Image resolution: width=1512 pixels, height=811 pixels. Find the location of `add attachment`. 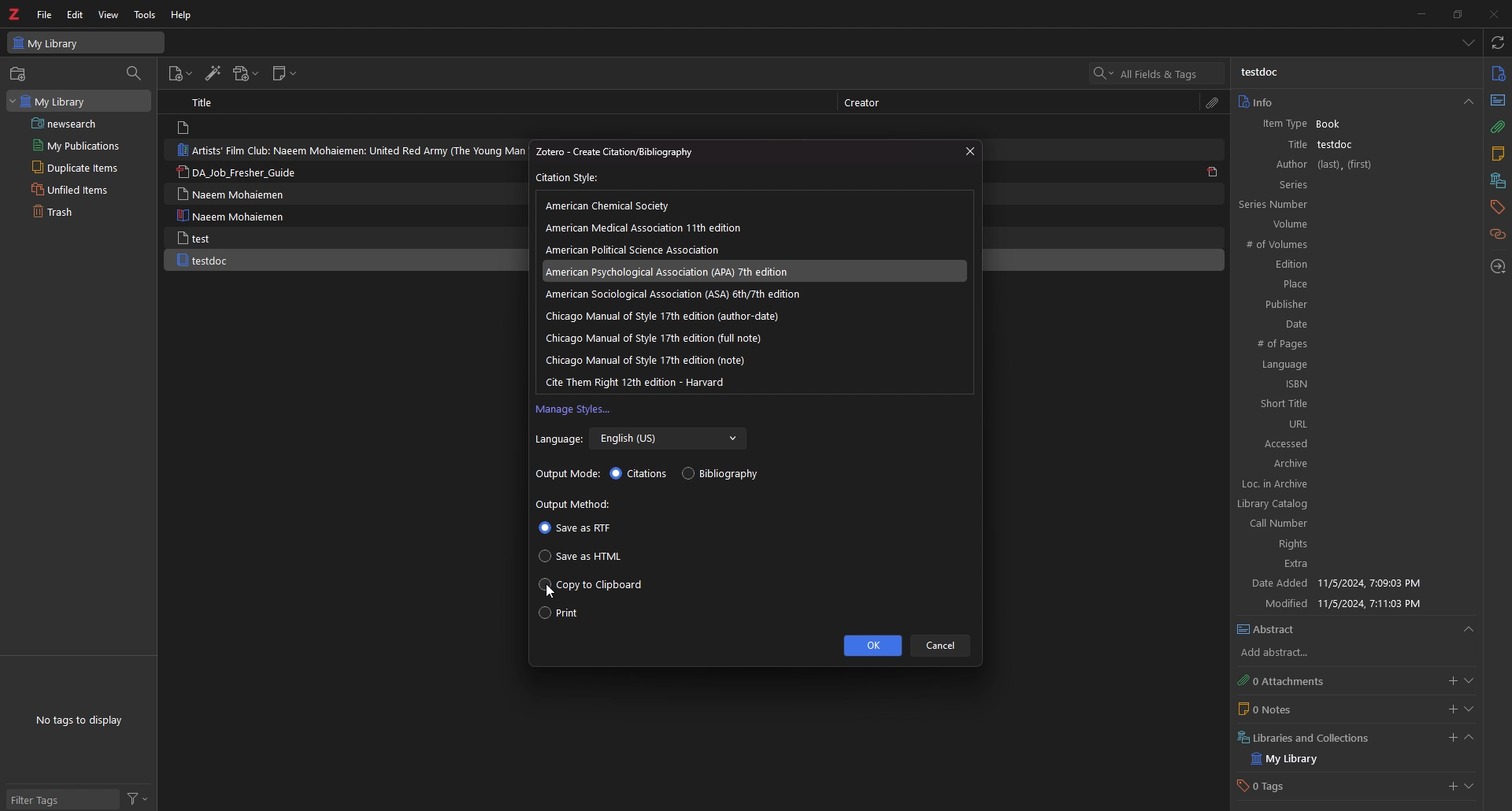

add attachment is located at coordinates (1450, 681).